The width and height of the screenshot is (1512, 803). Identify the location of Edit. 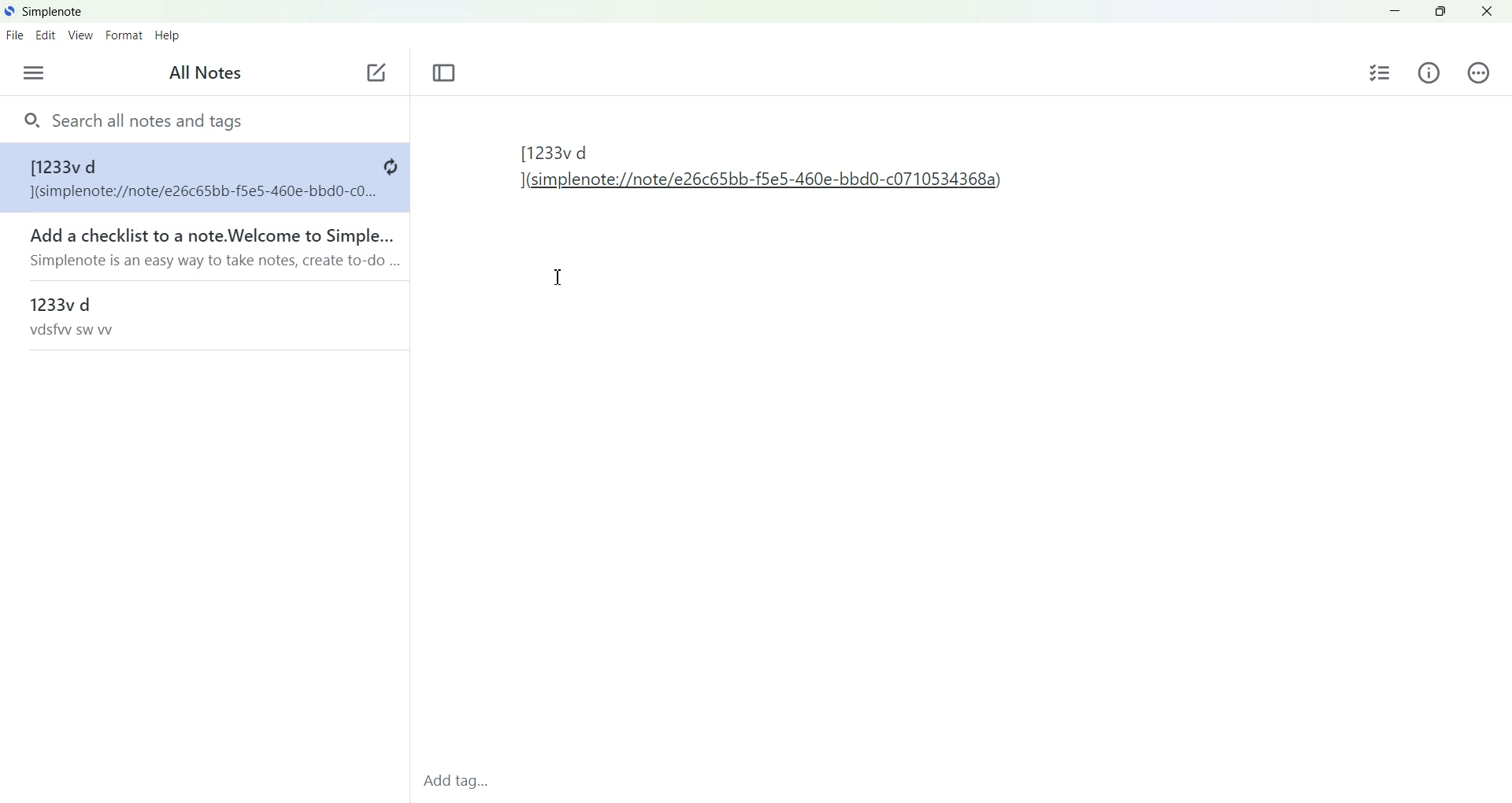
(44, 34).